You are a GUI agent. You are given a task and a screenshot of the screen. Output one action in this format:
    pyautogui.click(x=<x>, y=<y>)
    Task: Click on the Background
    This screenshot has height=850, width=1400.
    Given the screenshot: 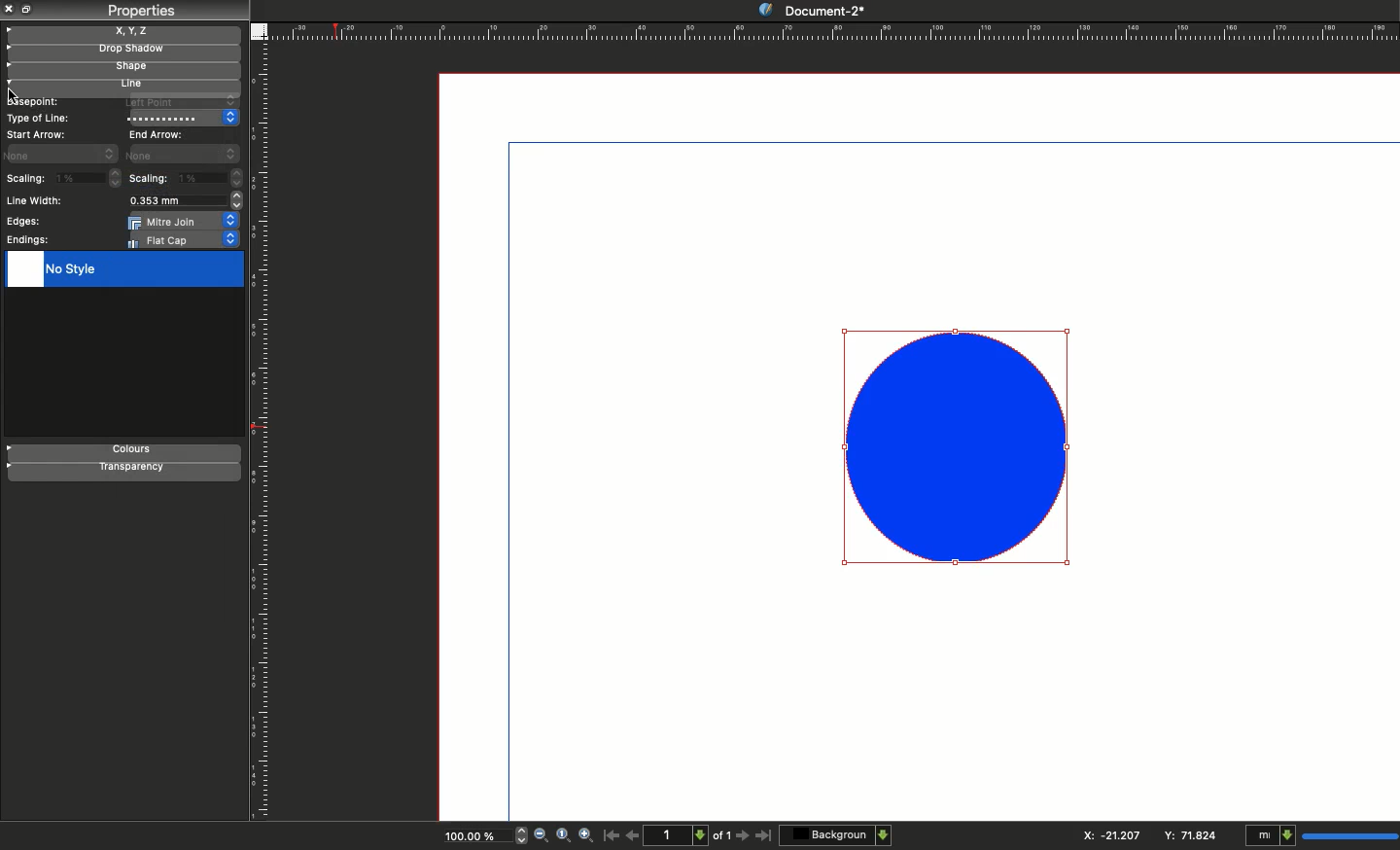 What is the action you would take?
    pyautogui.click(x=837, y=834)
    